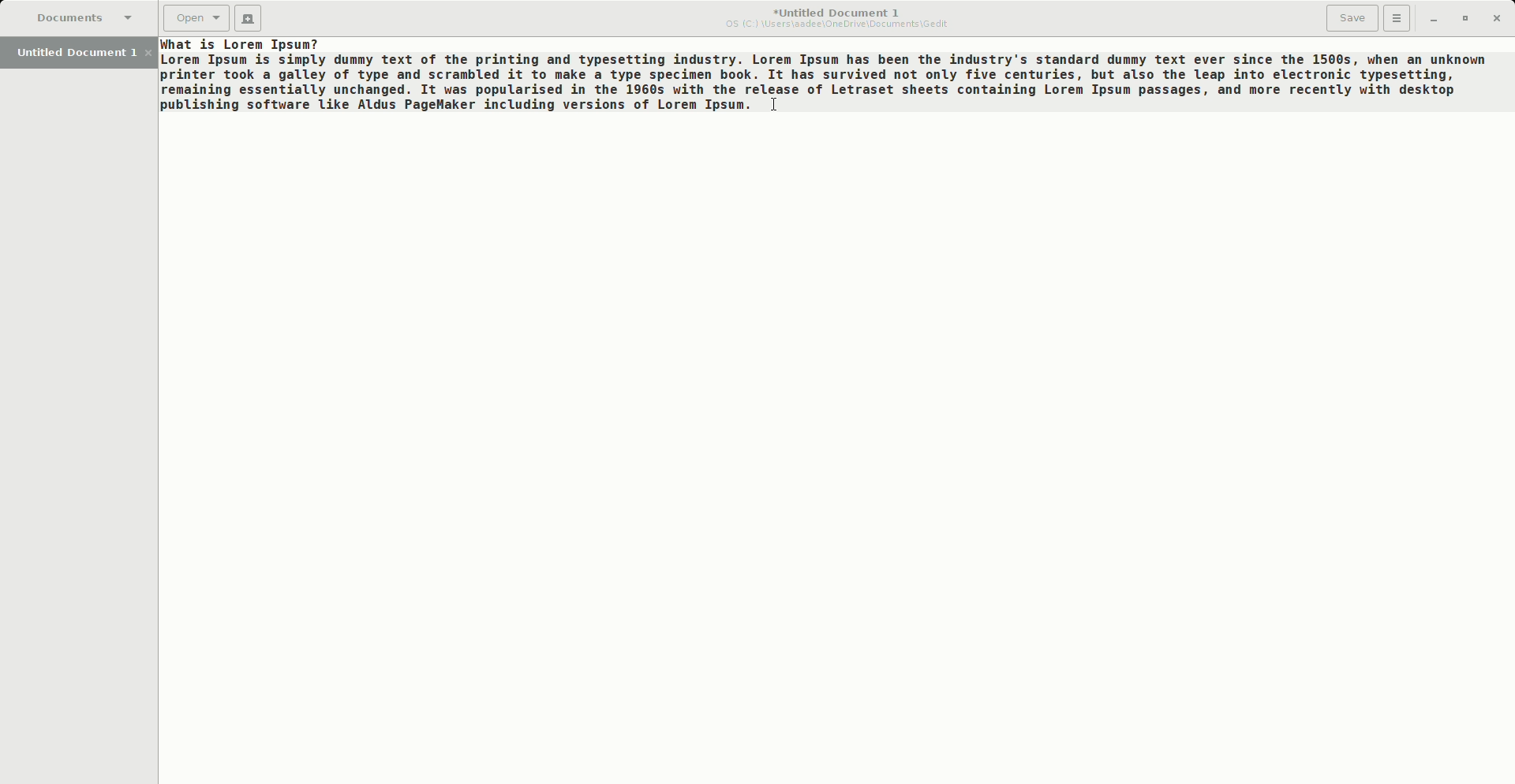 This screenshot has width=1515, height=784. Describe the element at coordinates (838, 18) in the screenshot. I see `Untitled Document 1` at that location.